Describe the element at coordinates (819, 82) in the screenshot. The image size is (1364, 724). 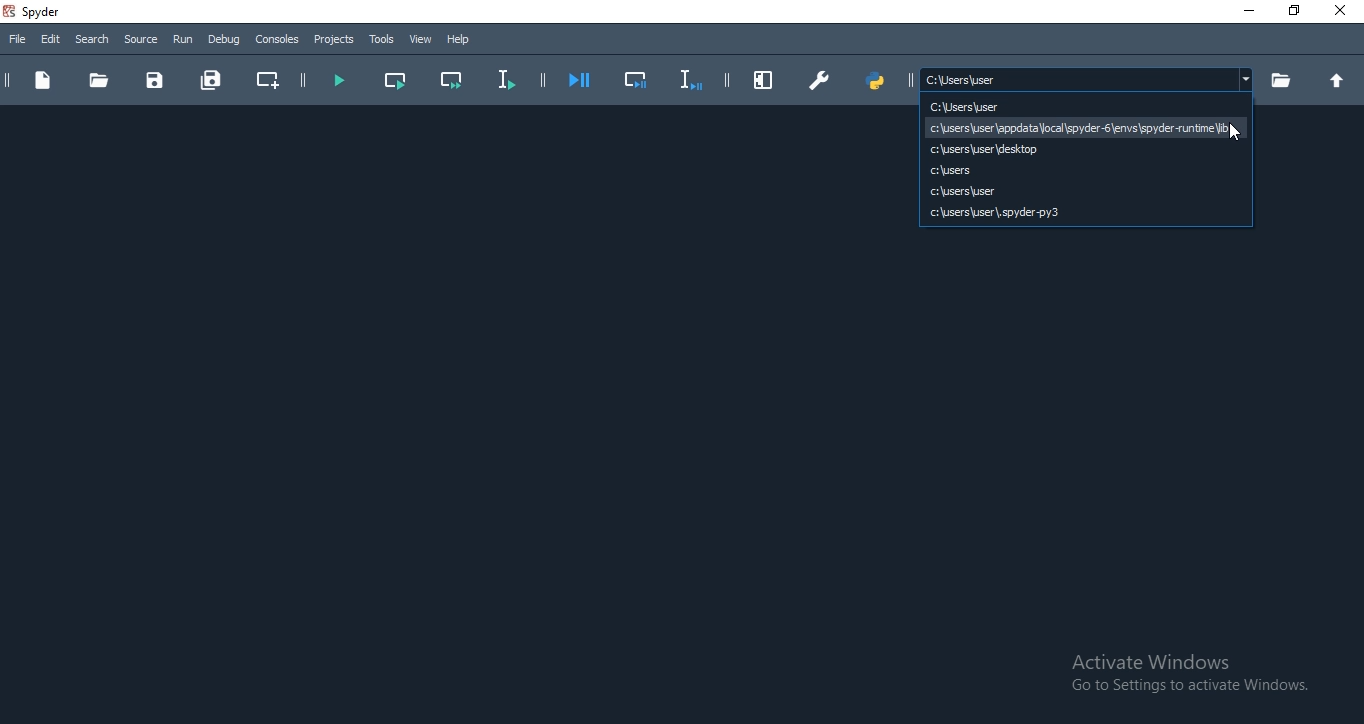
I see `preferences` at that location.